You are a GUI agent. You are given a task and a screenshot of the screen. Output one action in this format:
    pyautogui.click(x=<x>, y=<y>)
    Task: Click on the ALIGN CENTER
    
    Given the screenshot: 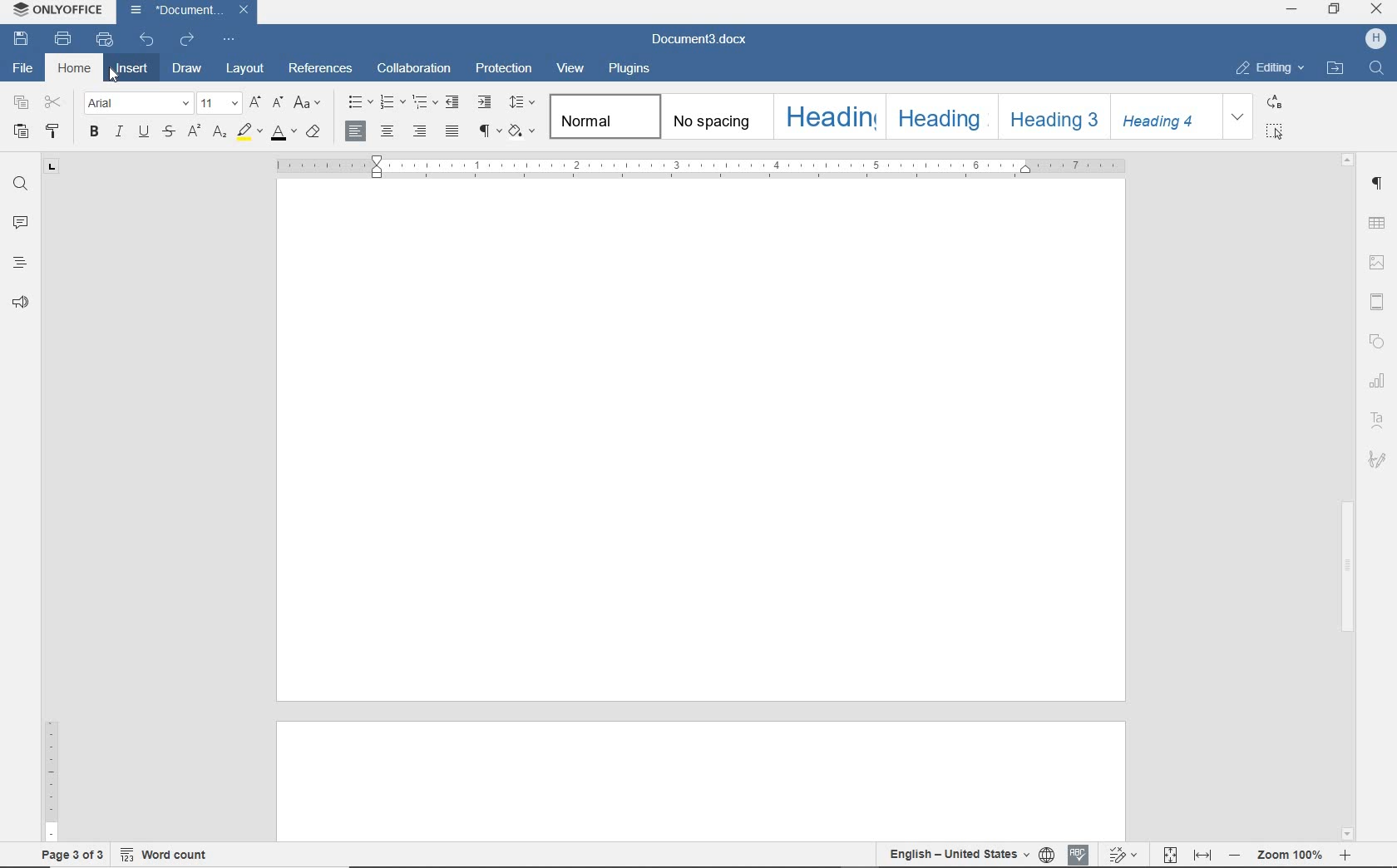 What is the action you would take?
    pyautogui.click(x=387, y=131)
    